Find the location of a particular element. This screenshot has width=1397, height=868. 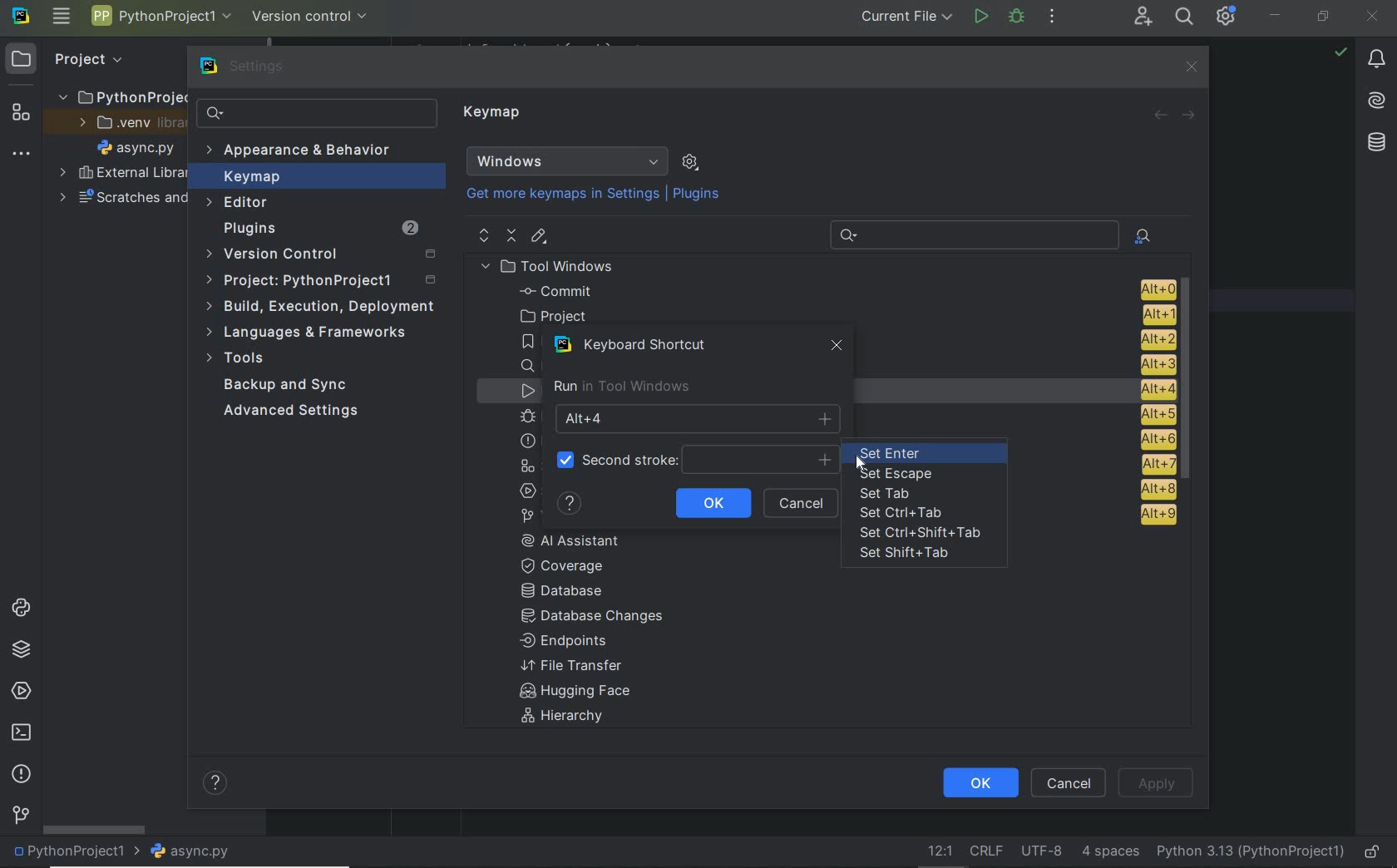

Hierarchy is located at coordinates (571, 718).